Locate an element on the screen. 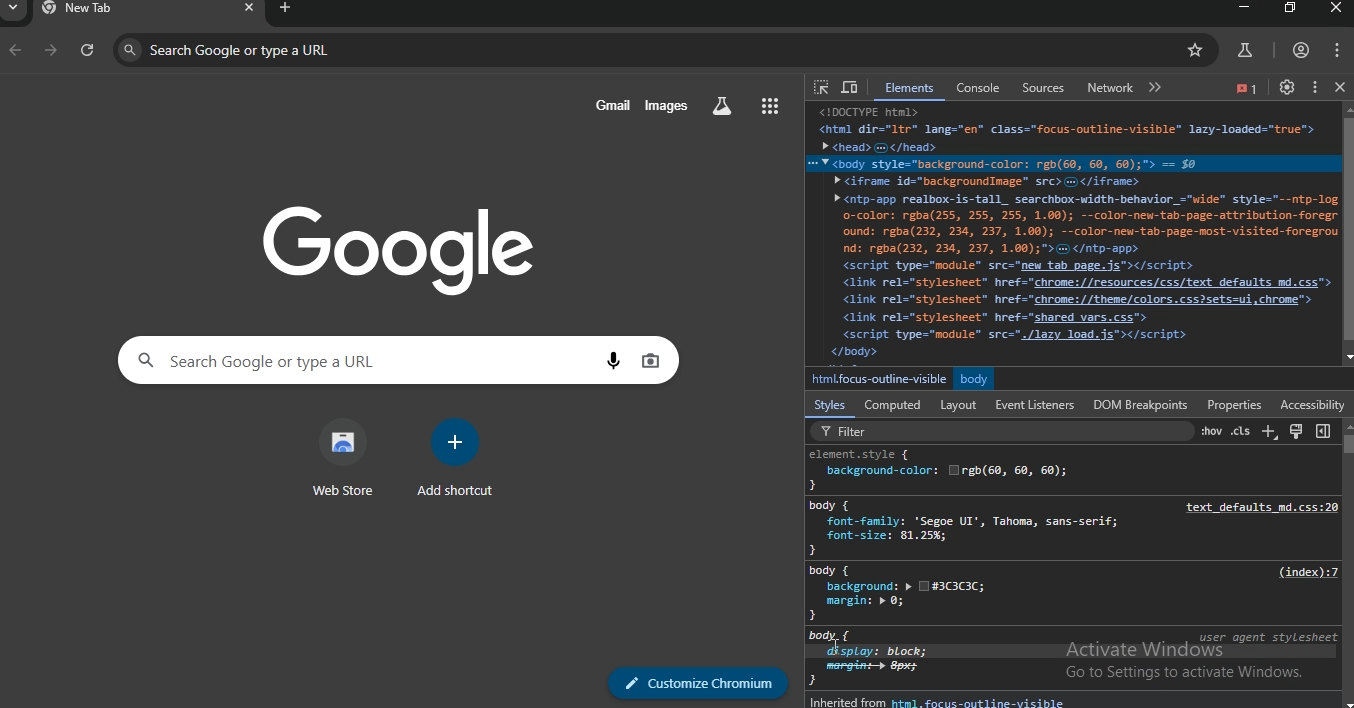  settings is located at coordinates (1287, 87).